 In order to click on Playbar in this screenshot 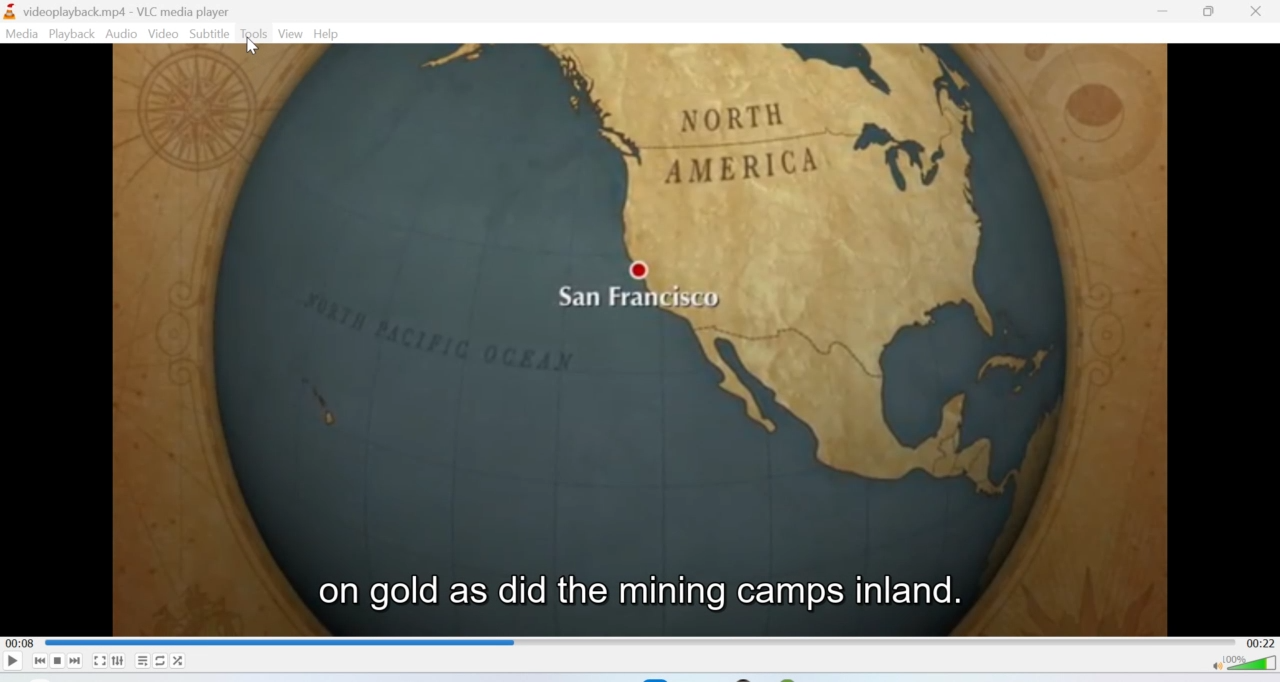, I will do `click(645, 642)`.